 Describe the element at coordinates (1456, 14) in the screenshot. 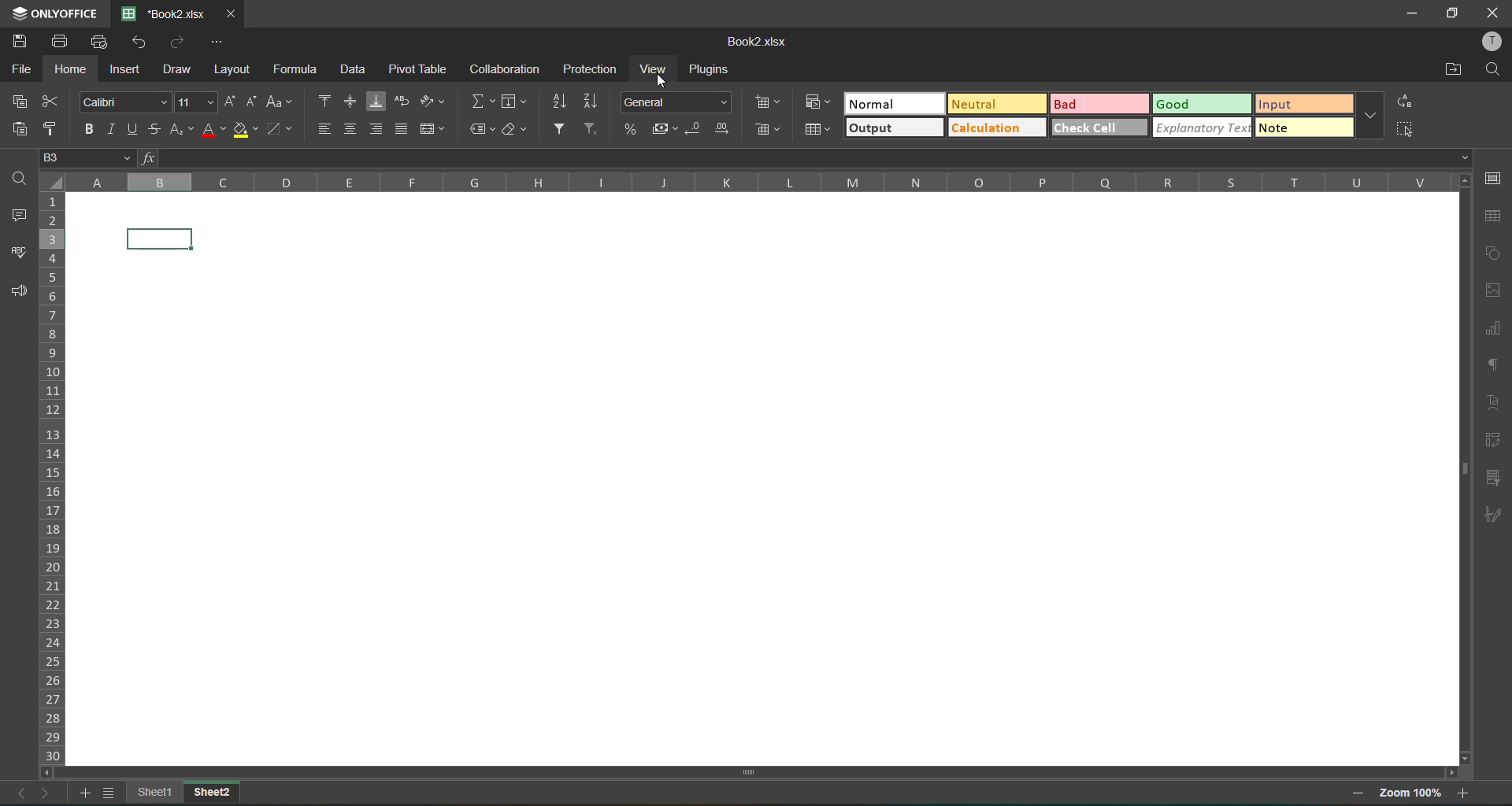

I see `maximize` at that location.